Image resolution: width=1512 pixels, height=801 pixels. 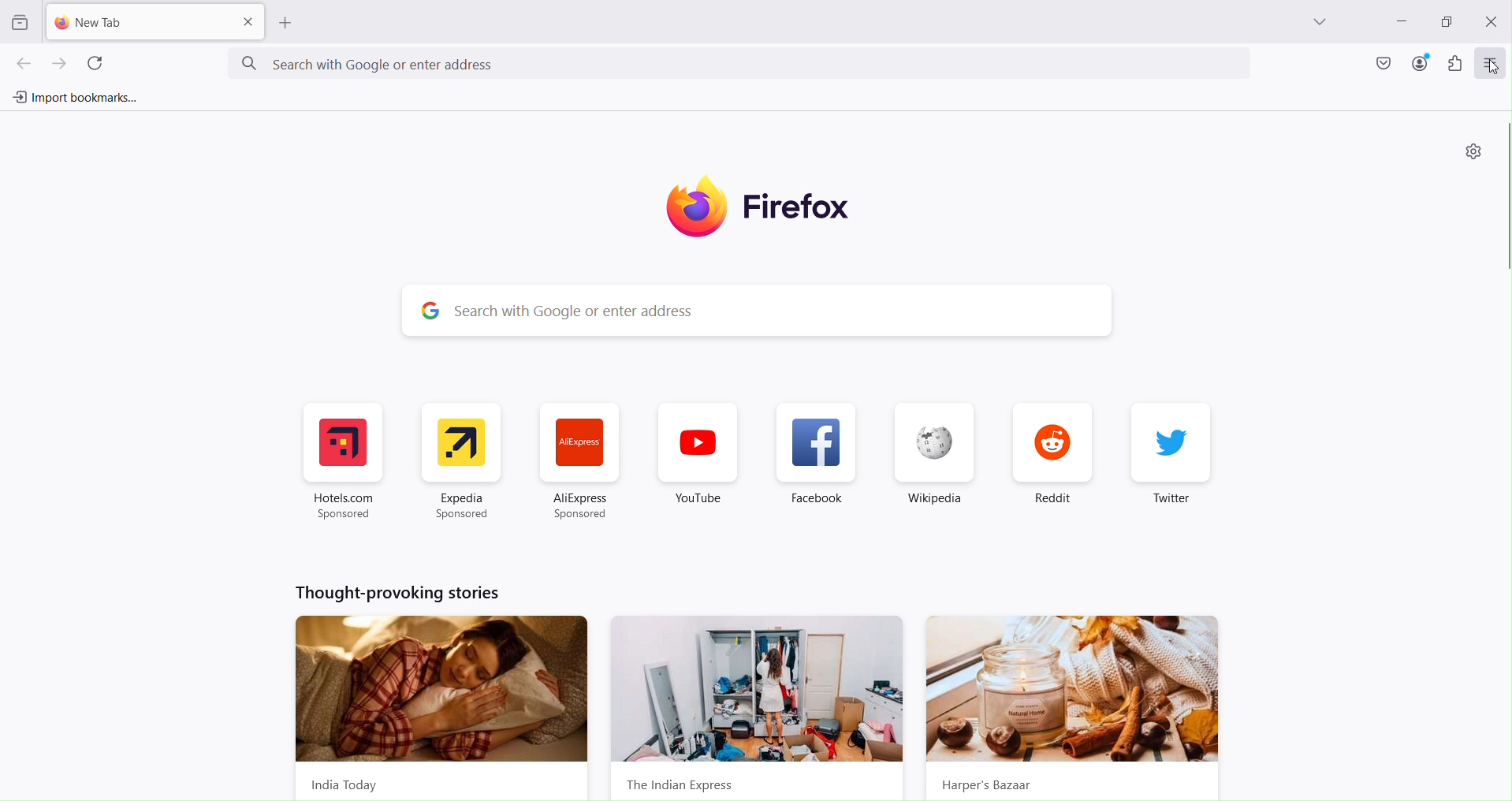 What do you see at coordinates (18, 62) in the screenshot?
I see `Go backward one page` at bounding box center [18, 62].